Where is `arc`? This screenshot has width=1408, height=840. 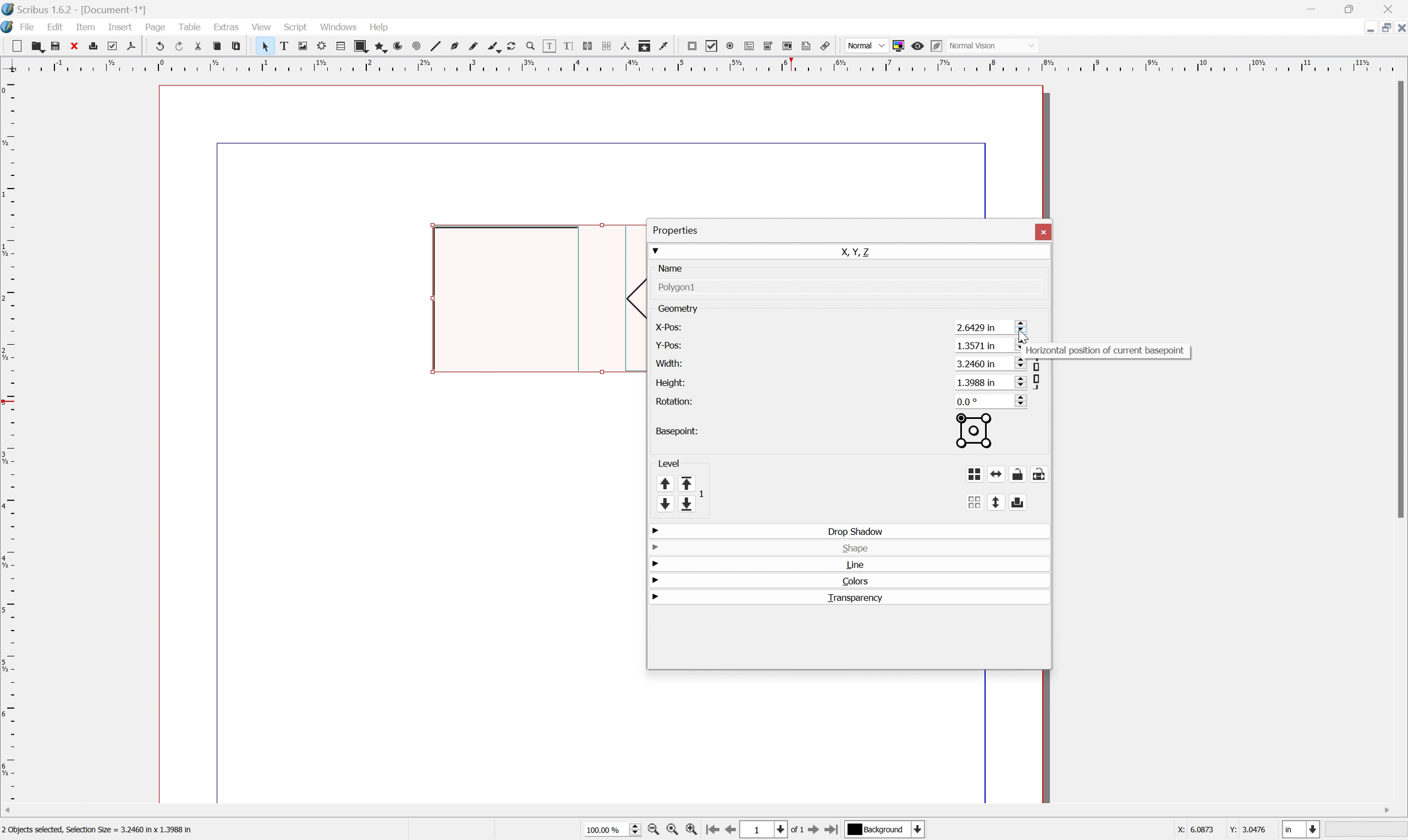 arc is located at coordinates (394, 45).